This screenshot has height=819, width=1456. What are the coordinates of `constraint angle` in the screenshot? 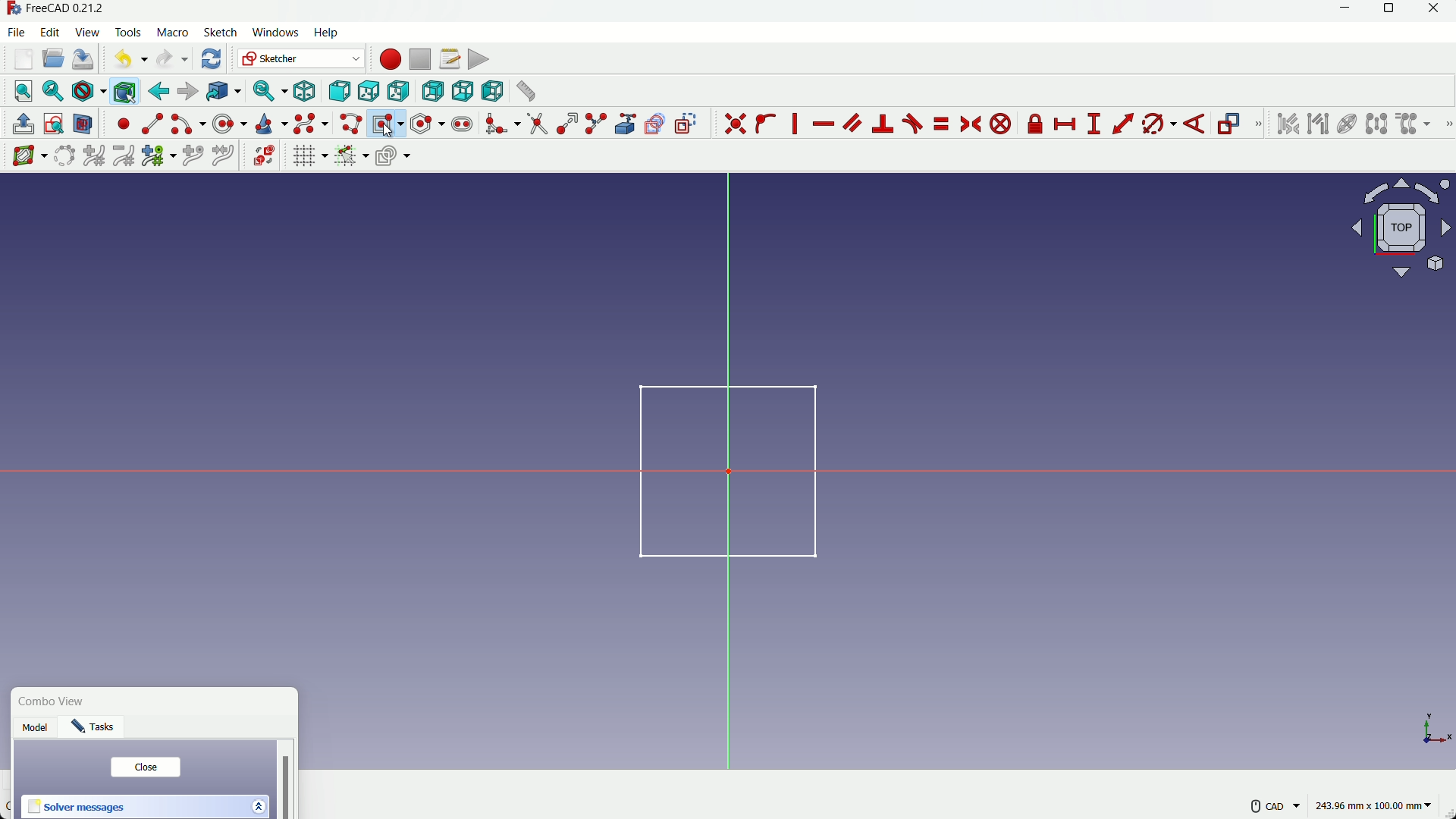 It's located at (1196, 125).